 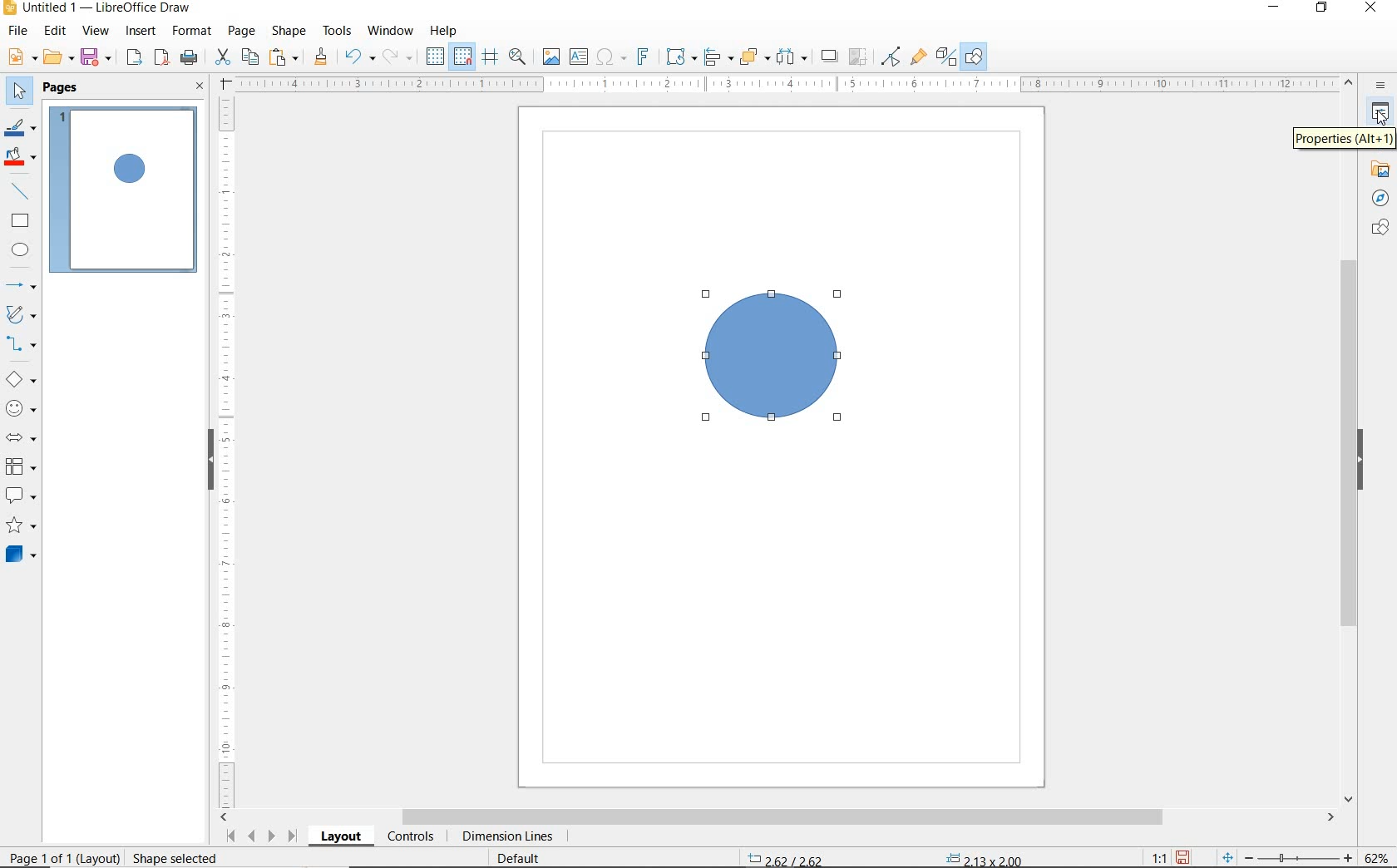 I want to click on Next page, so click(x=272, y=836).